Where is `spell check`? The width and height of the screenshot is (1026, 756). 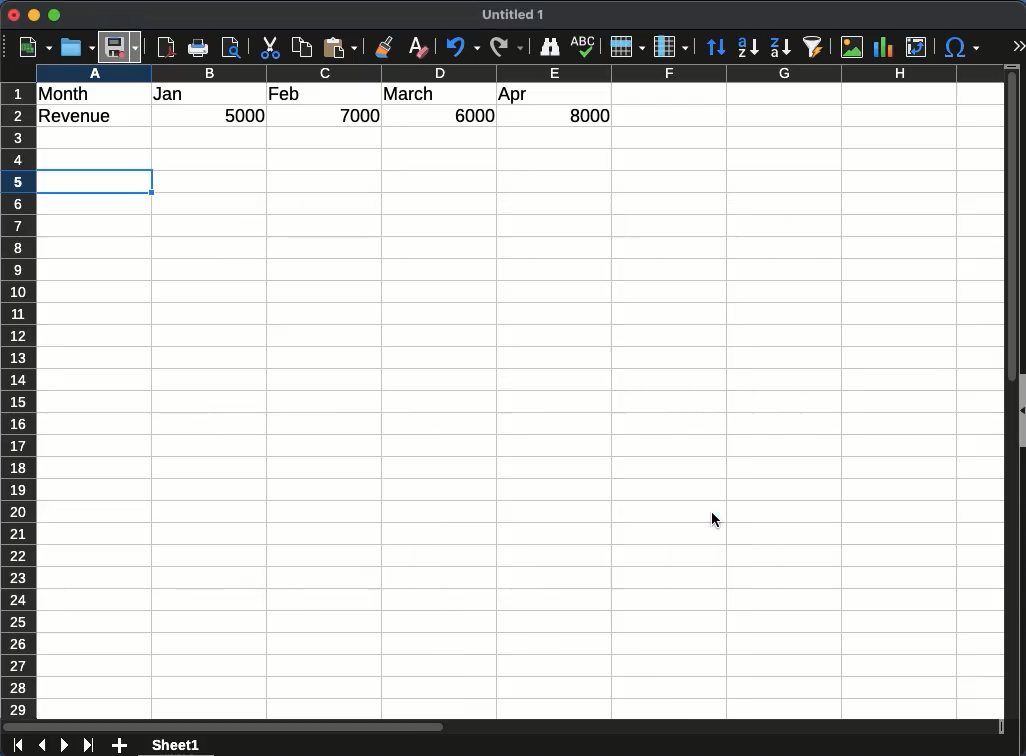 spell check is located at coordinates (584, 48).